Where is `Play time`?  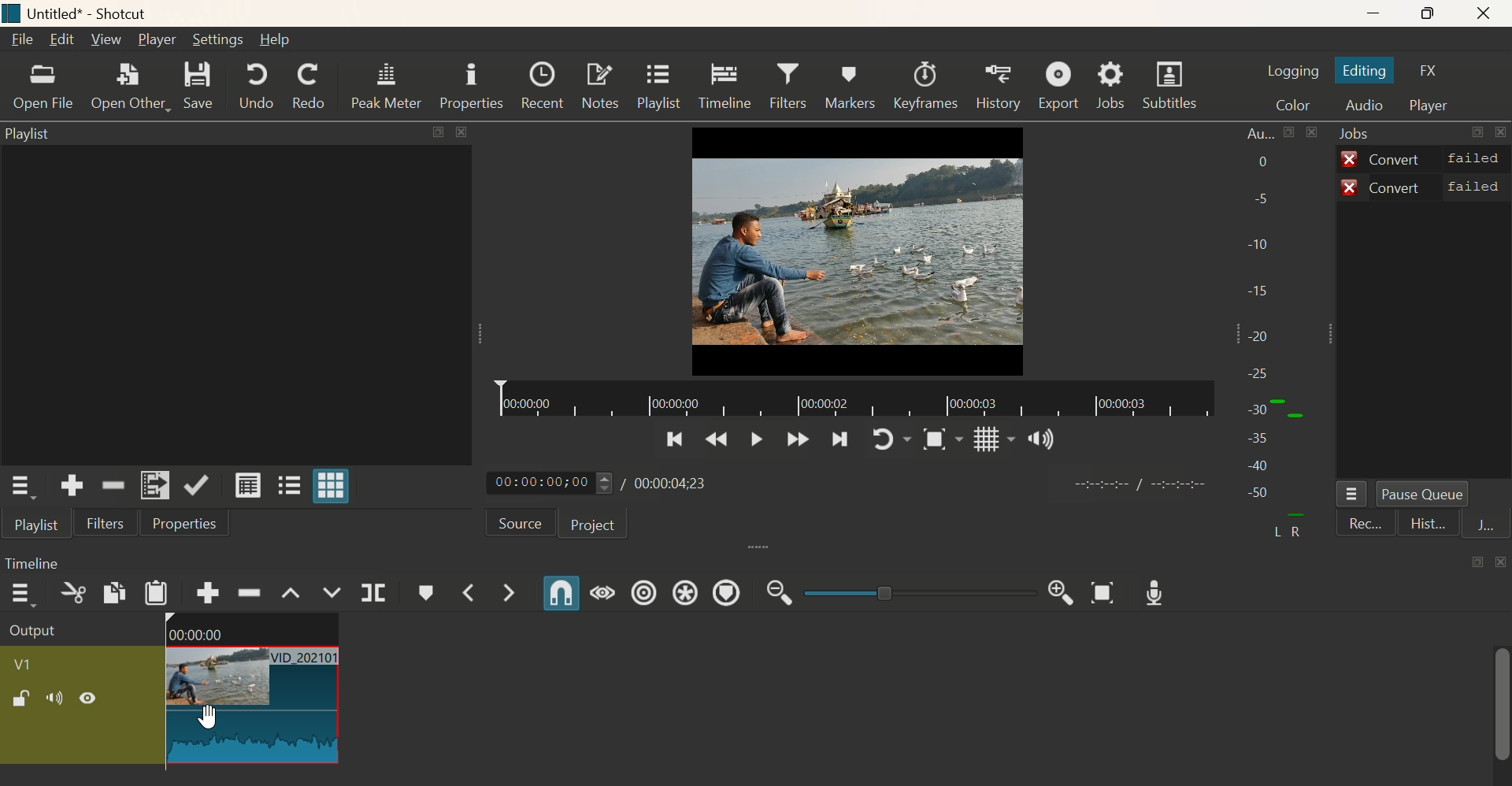
Play time is located at coordinates (607, 484).